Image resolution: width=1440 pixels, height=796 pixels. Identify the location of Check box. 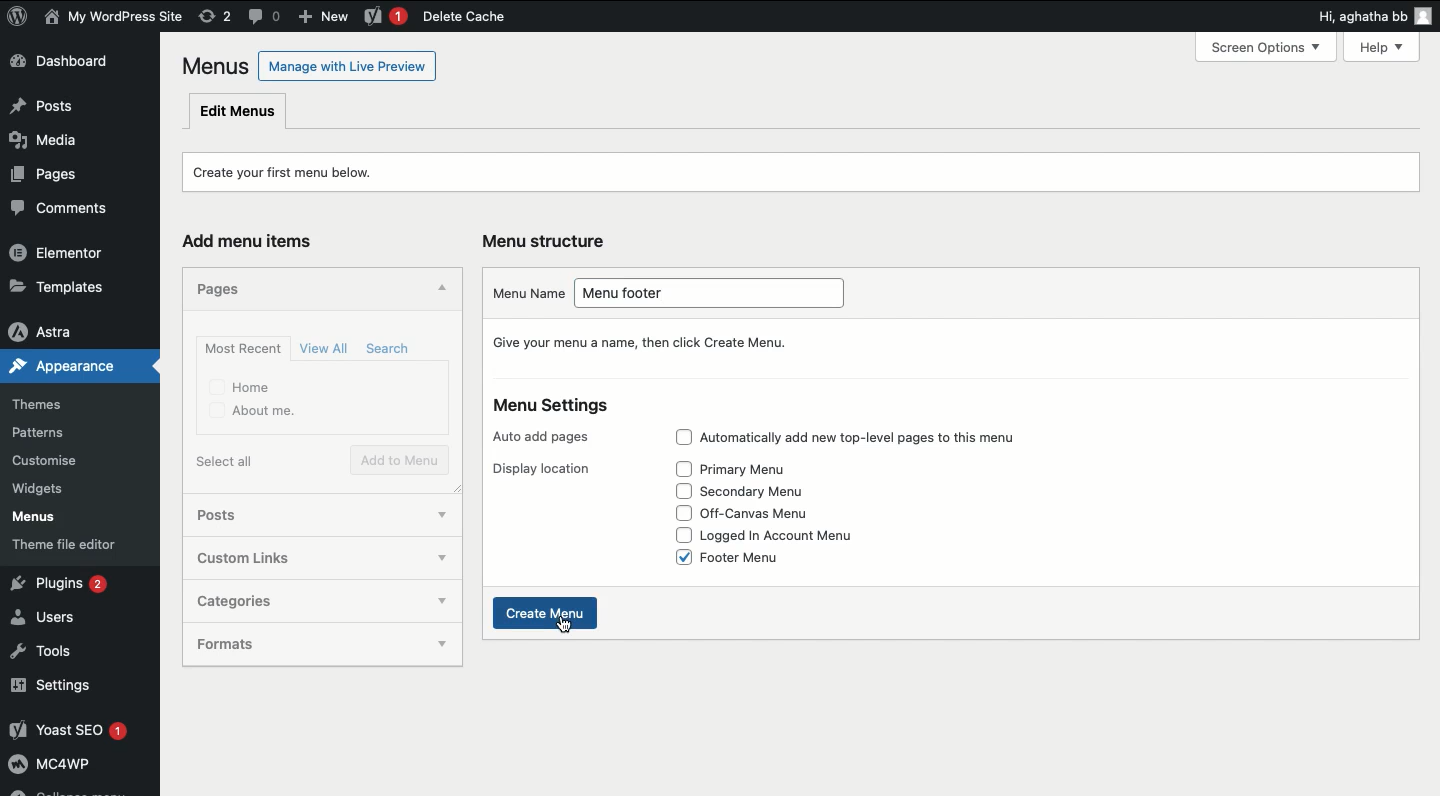
(677, 469).